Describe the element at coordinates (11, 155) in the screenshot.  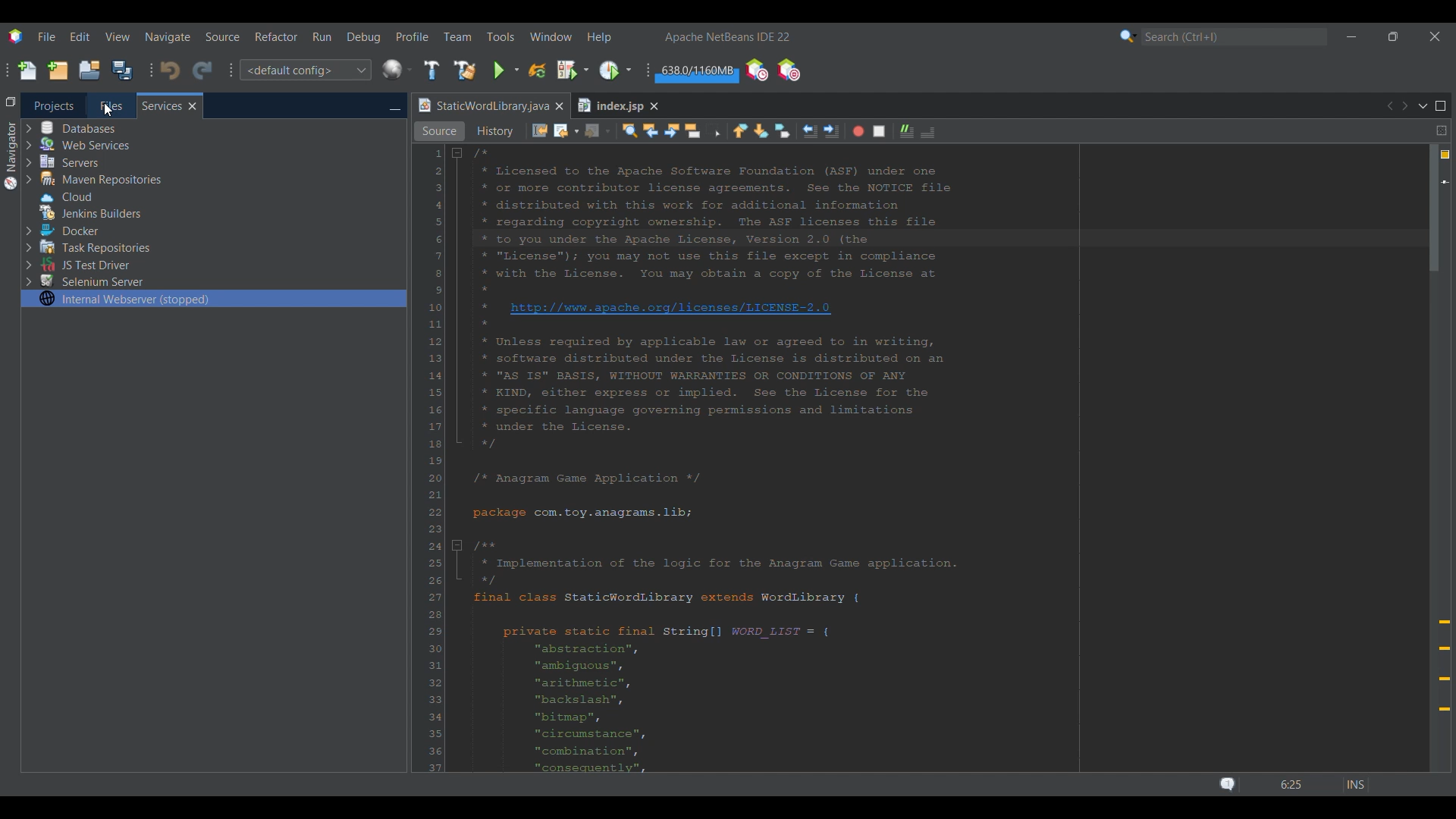
I see `Navigator menu` at that location.